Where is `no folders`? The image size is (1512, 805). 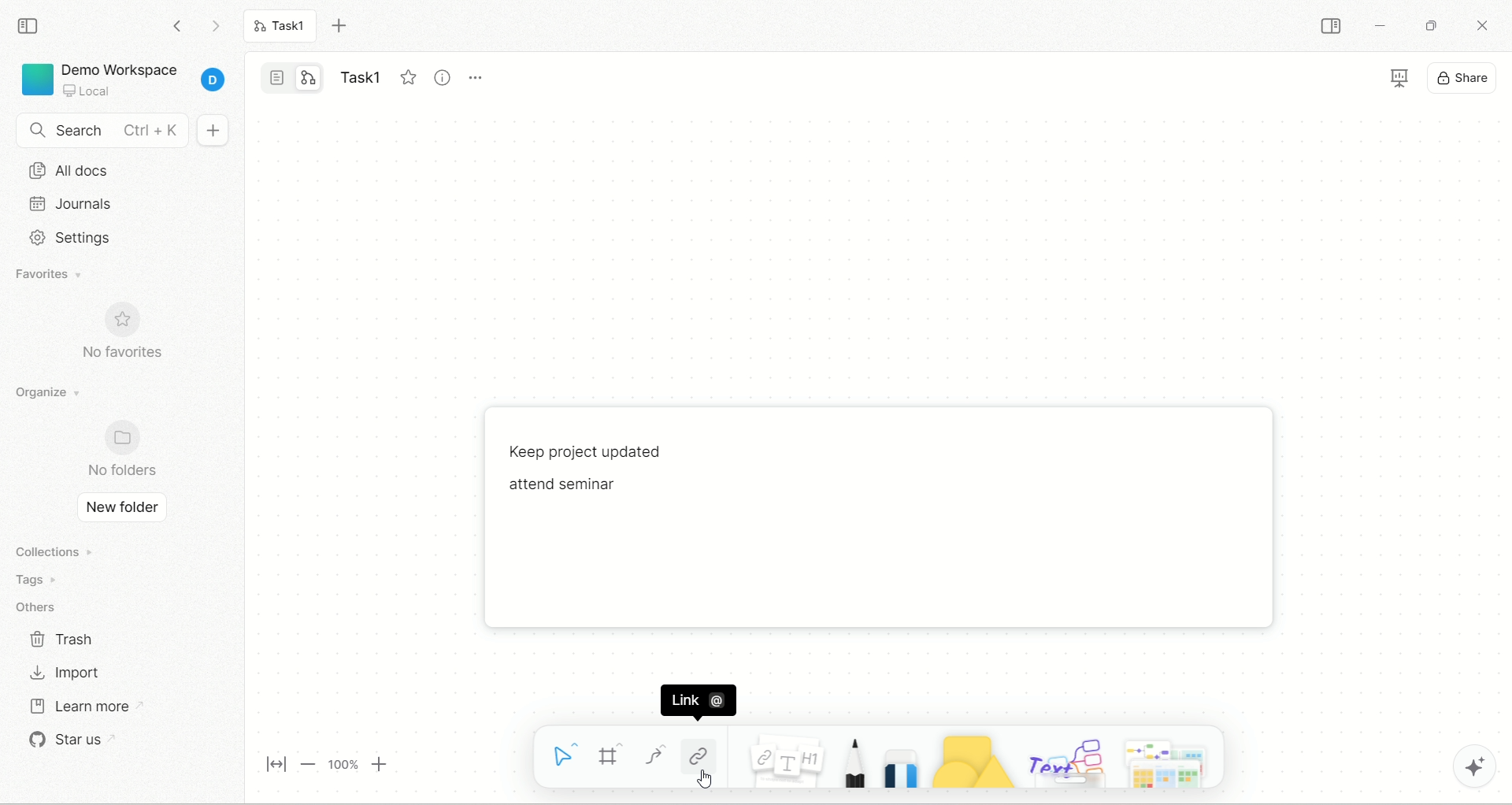
no folders is located at coordinates (126, 448).